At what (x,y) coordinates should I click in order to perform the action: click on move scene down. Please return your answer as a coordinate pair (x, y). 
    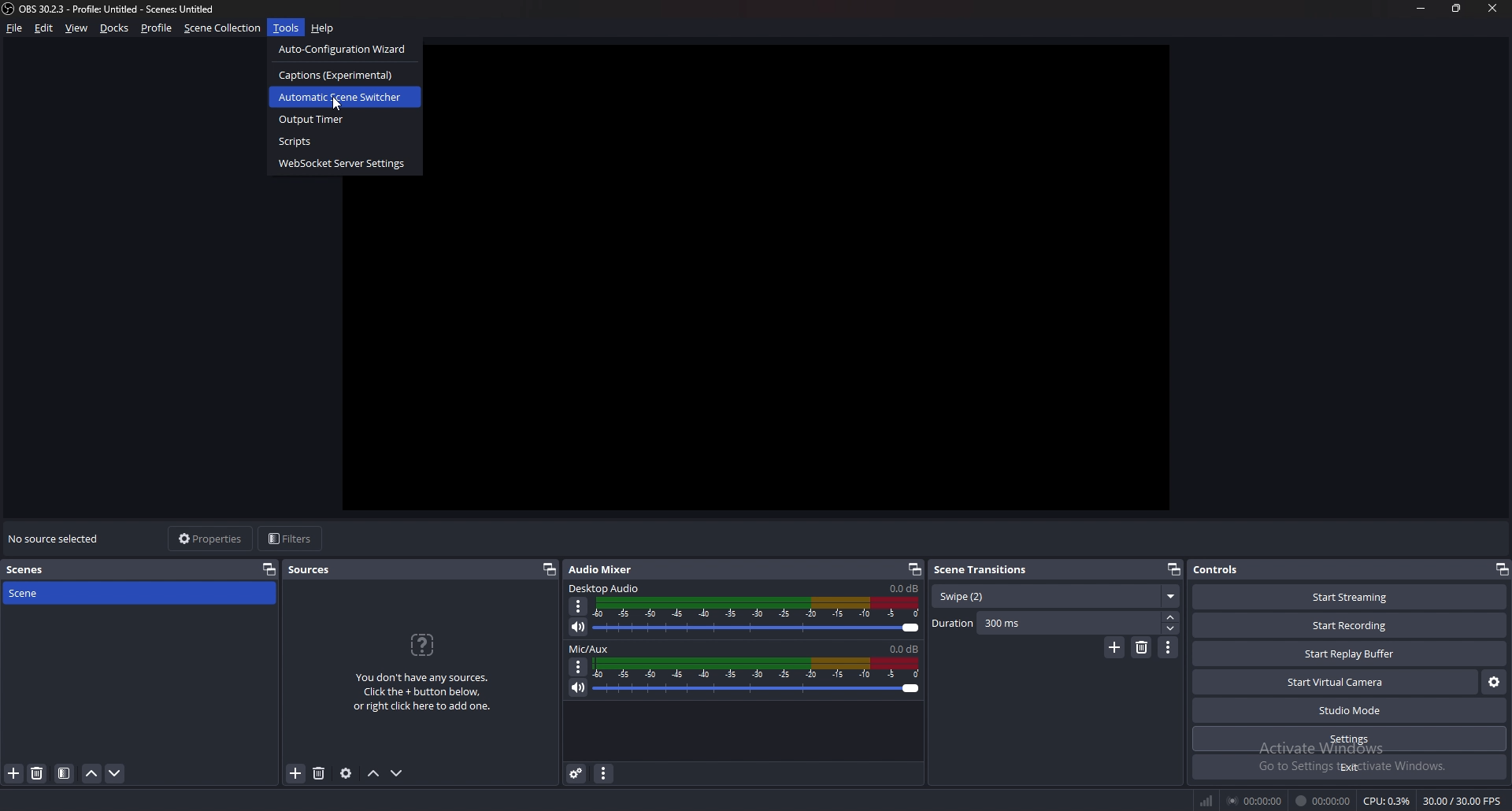
    Looking at the image, I should click on (116, 773).